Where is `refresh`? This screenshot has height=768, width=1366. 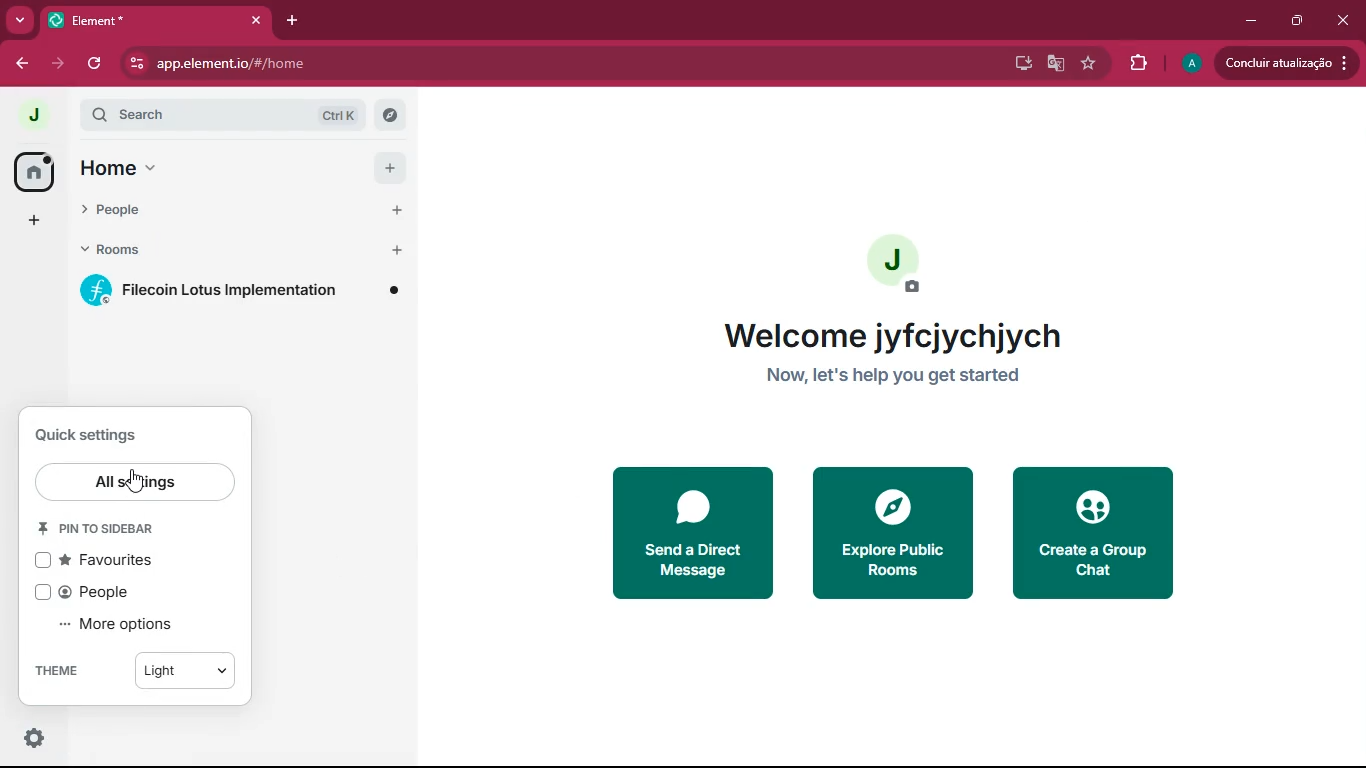
refresh is located at coordinates (94, 65).